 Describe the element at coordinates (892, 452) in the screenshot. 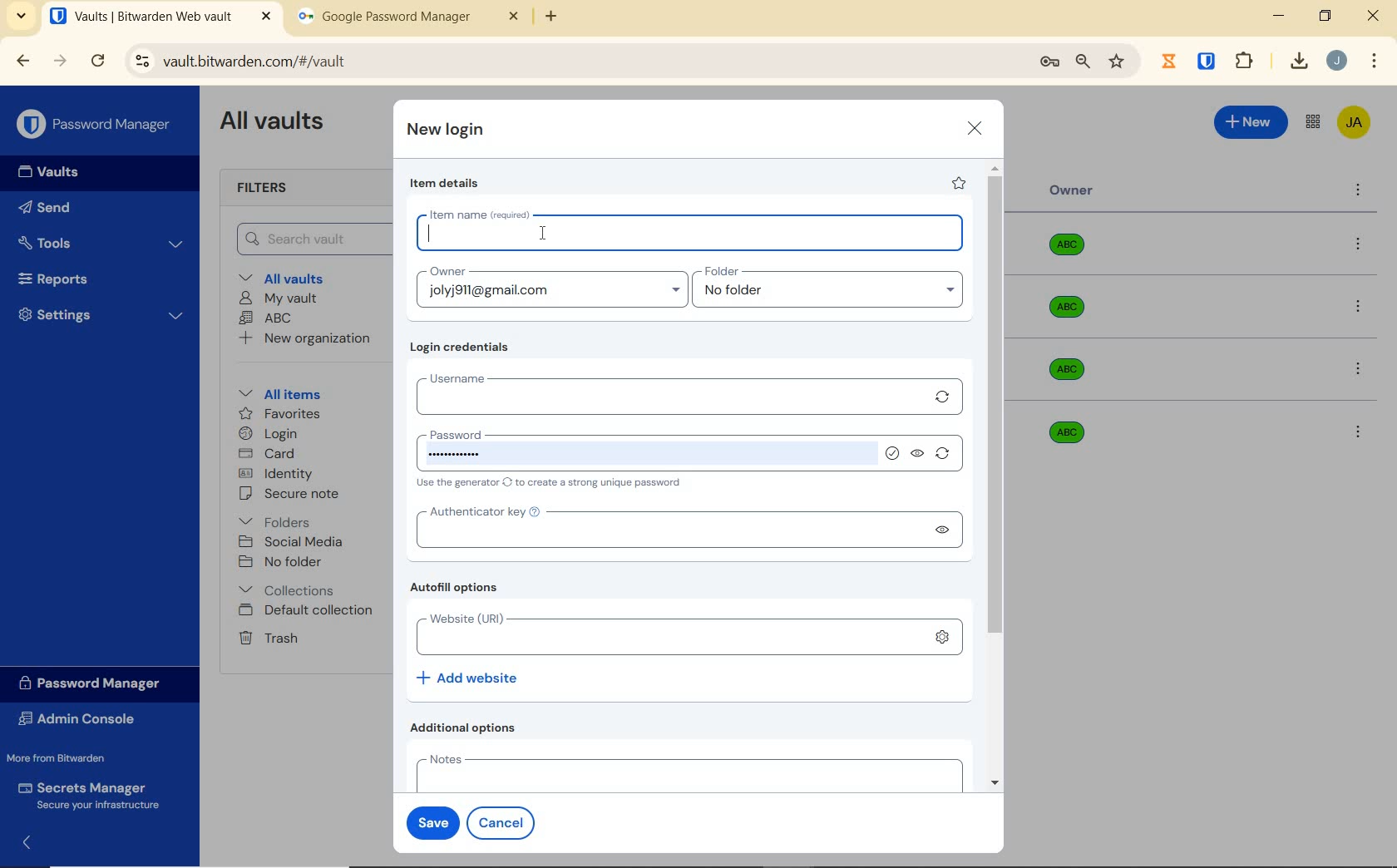

I see `good` at that location.